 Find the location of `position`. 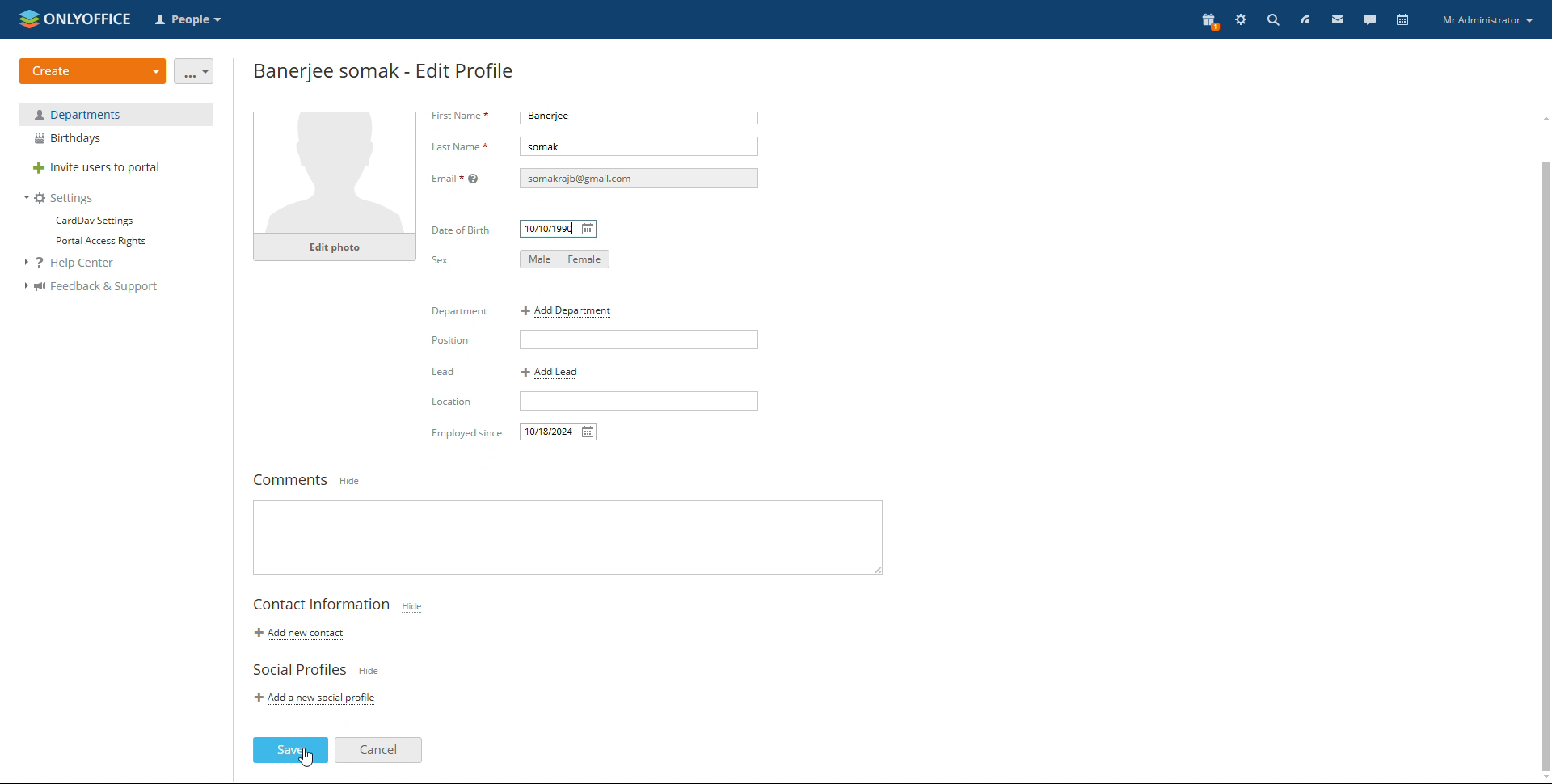

position is located at coordinates (641, 339).